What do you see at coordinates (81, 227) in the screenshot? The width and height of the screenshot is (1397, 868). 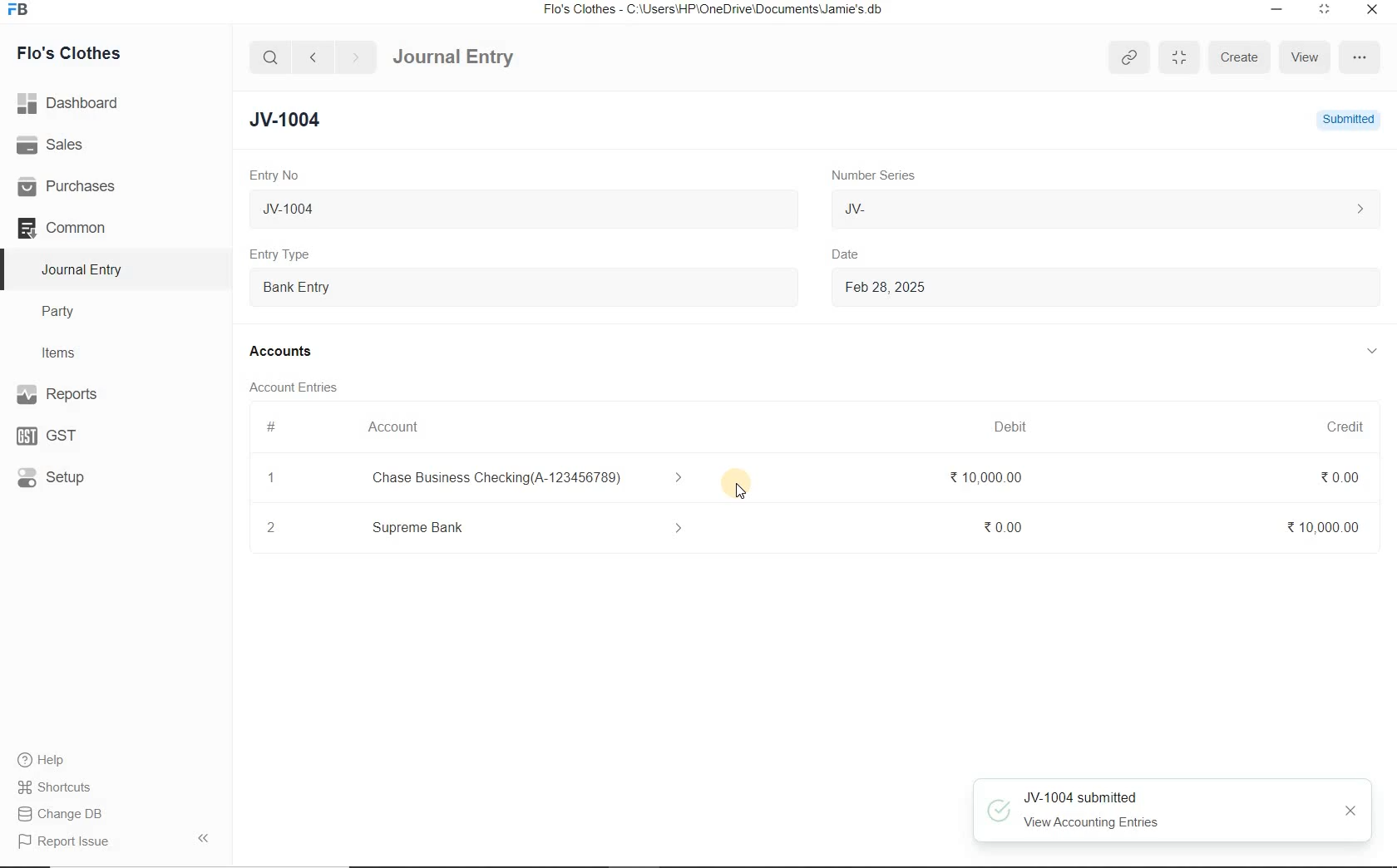 I see `Common` at bounding box center [81, 227].